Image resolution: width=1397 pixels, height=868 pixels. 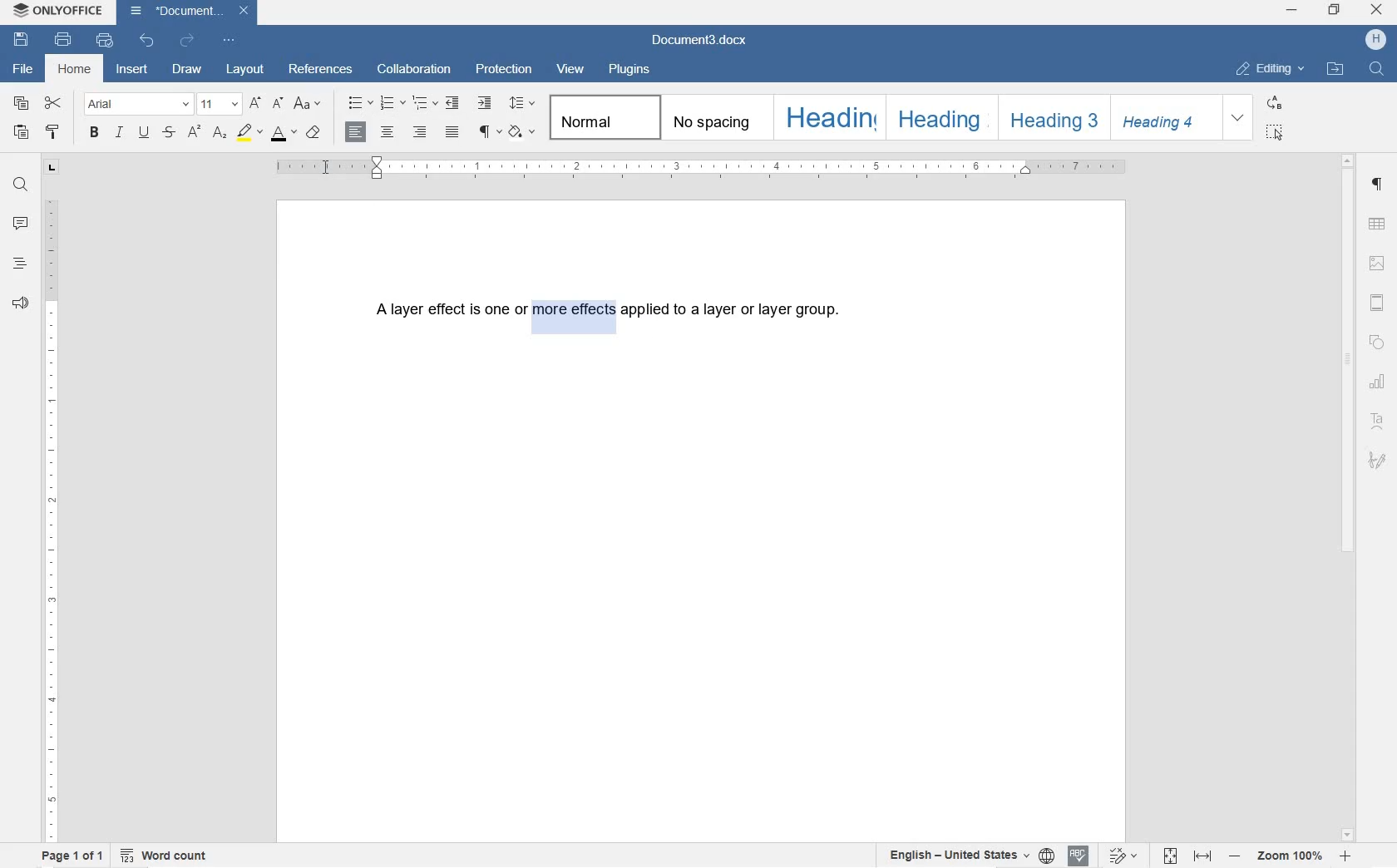 I want to click on HEADING 3, so click(x=1052, y=118).